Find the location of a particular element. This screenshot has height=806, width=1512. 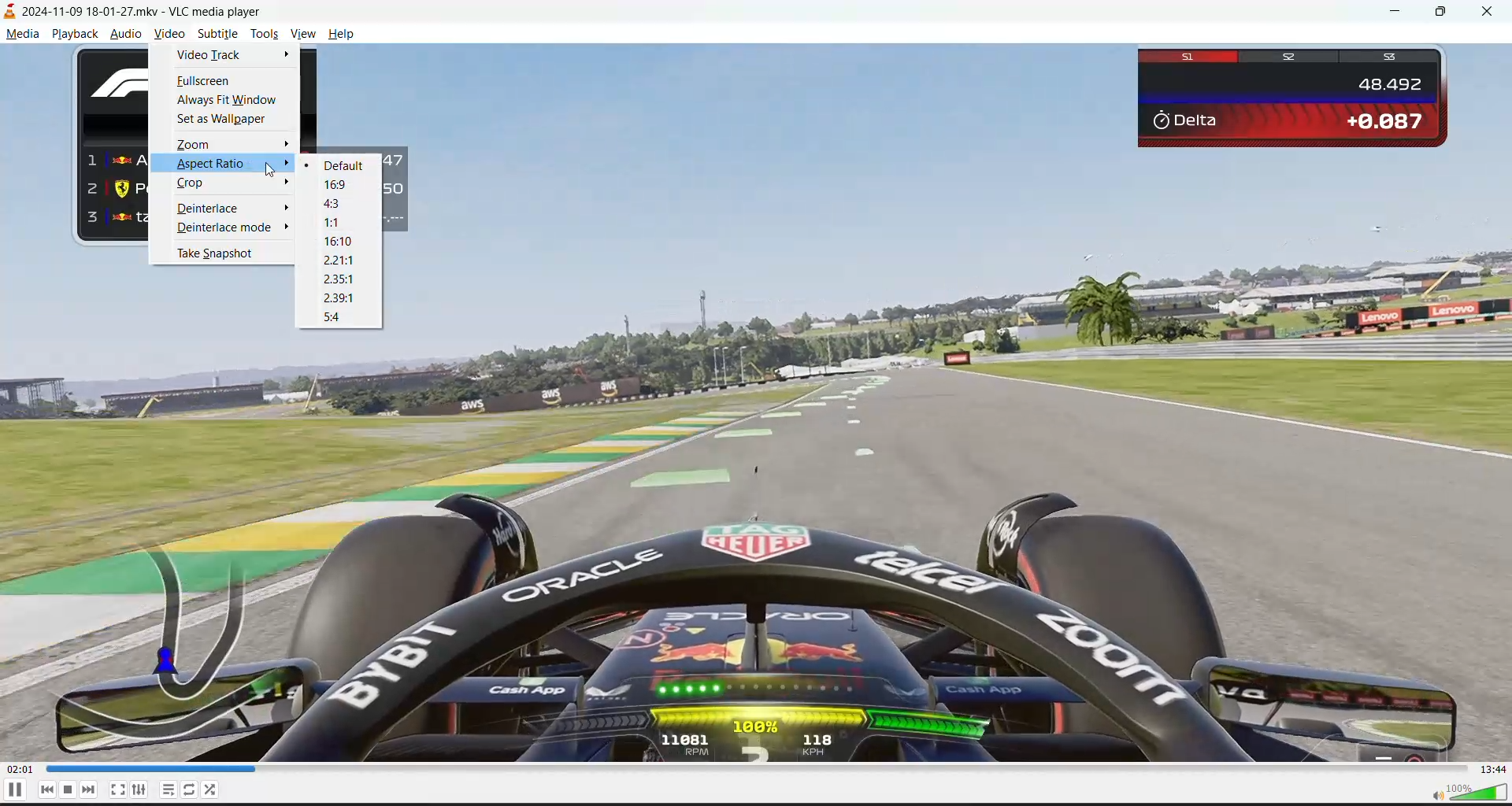

5:4 is located at coordinates (333, 316).